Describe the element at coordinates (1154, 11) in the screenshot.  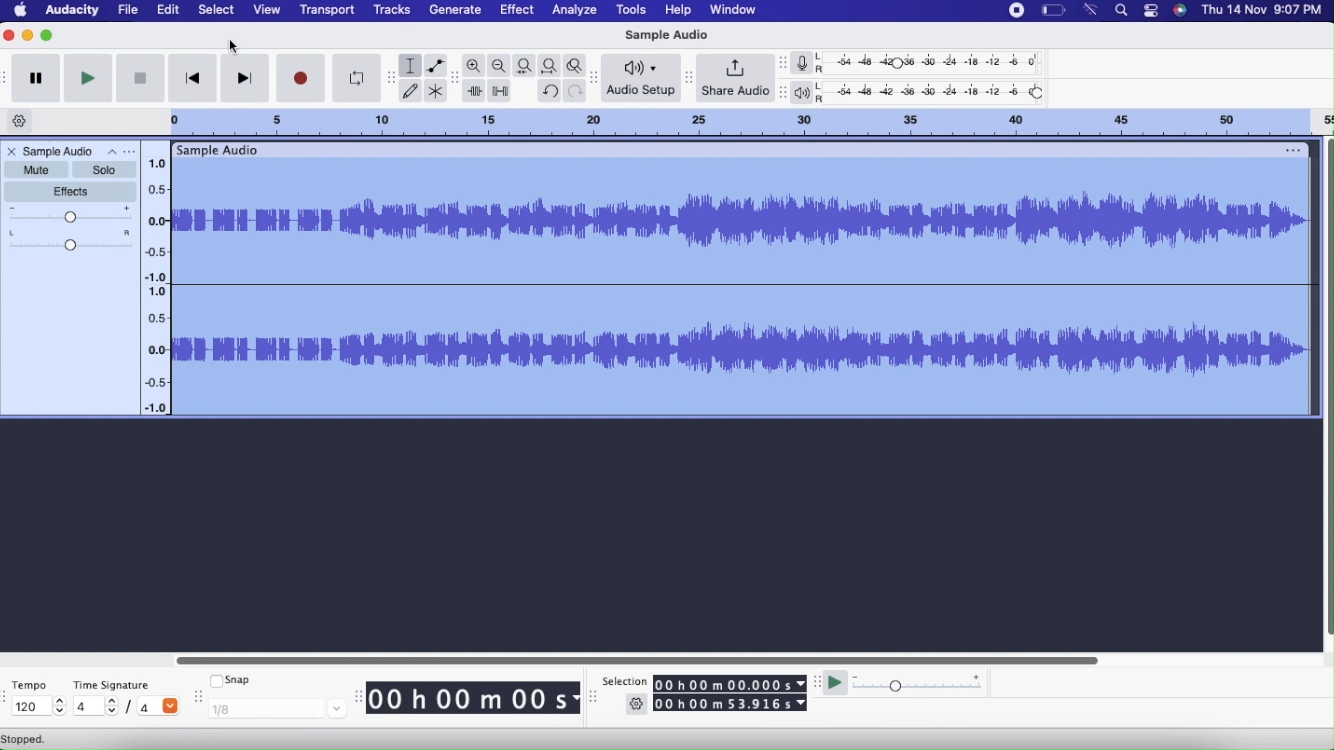
I see `Stack` at that location.